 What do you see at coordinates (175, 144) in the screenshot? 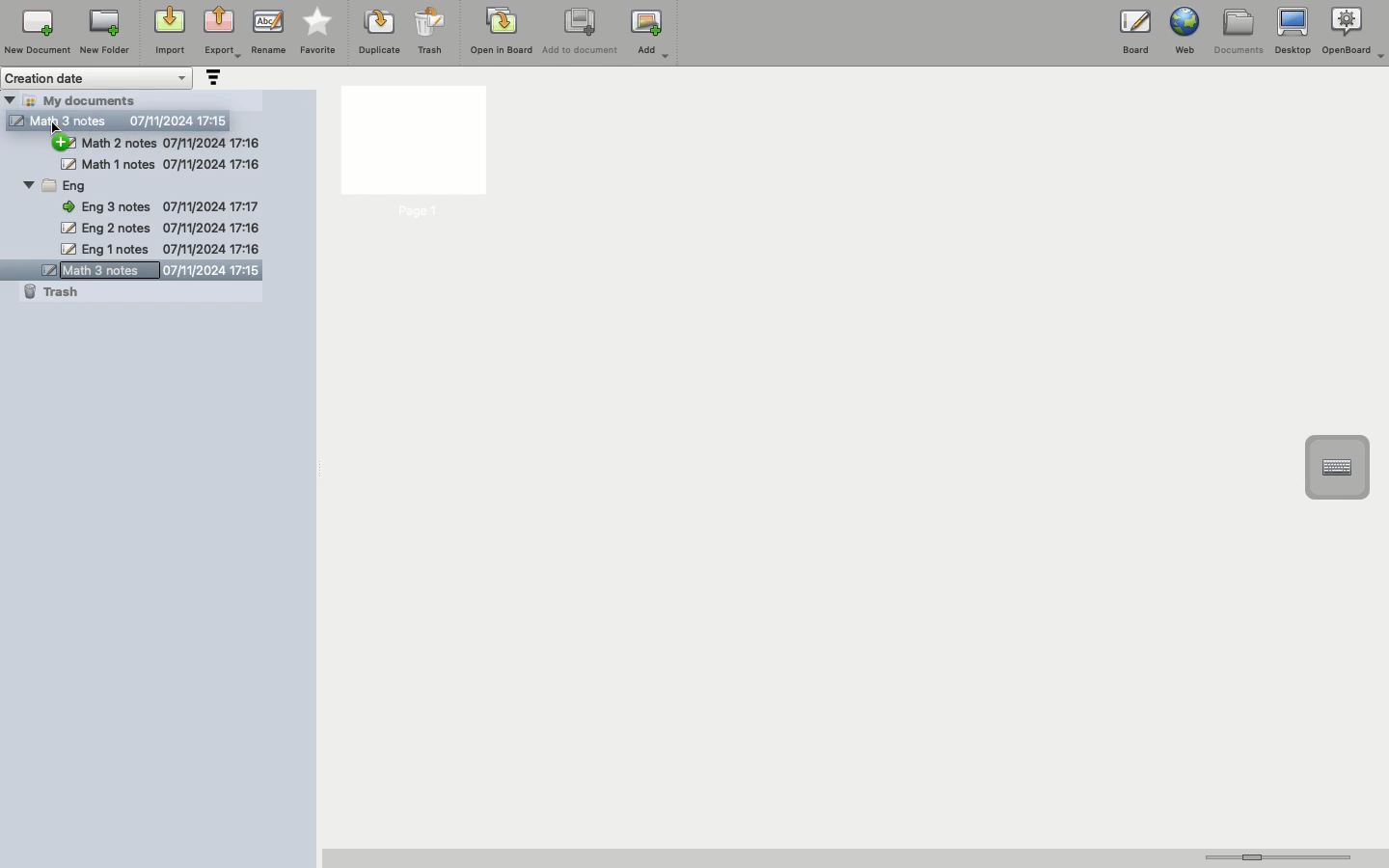
I see `Math 2 notes` at bounding box center [175, 144].